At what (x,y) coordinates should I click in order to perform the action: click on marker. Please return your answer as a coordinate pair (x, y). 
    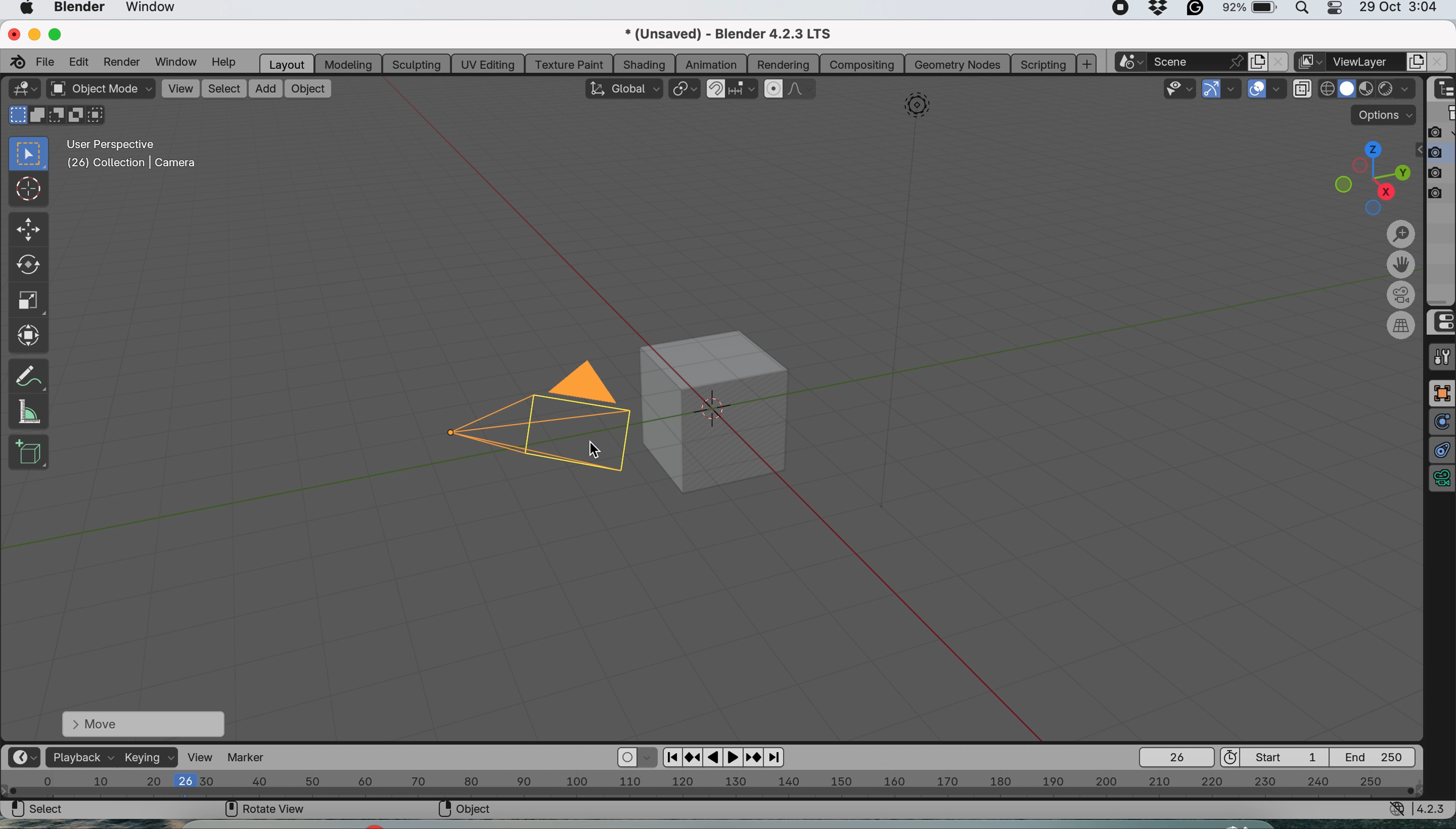
    Looking at the image, I should click on (252, 757).